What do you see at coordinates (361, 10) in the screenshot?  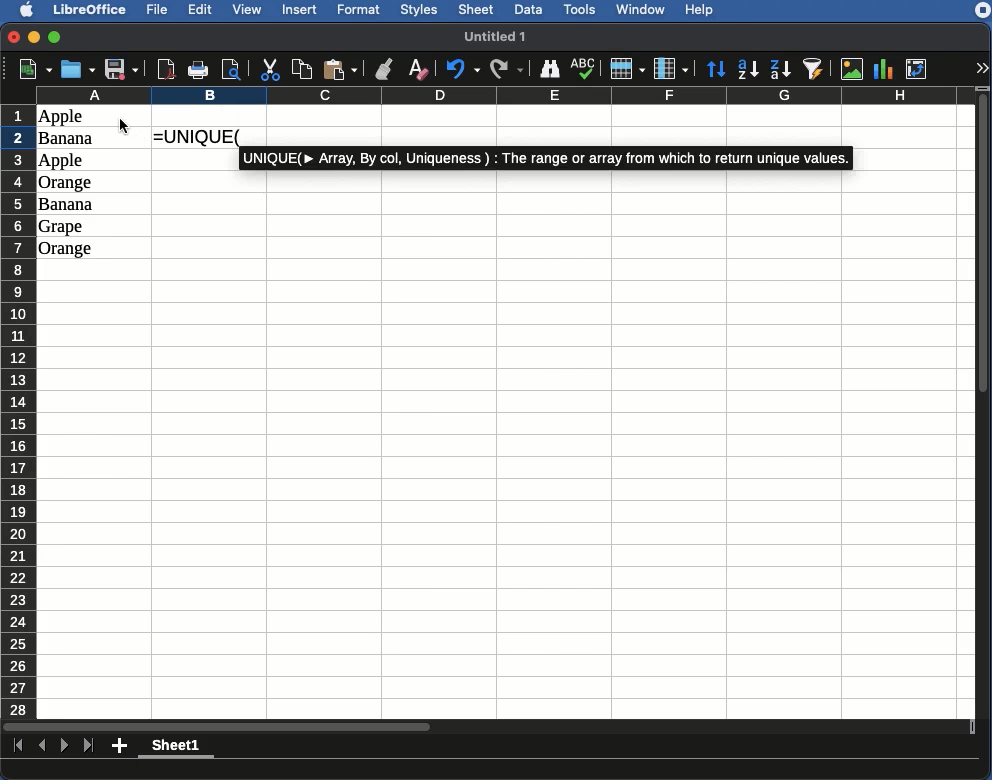 I see `Format` at bounding box center [361, 10].